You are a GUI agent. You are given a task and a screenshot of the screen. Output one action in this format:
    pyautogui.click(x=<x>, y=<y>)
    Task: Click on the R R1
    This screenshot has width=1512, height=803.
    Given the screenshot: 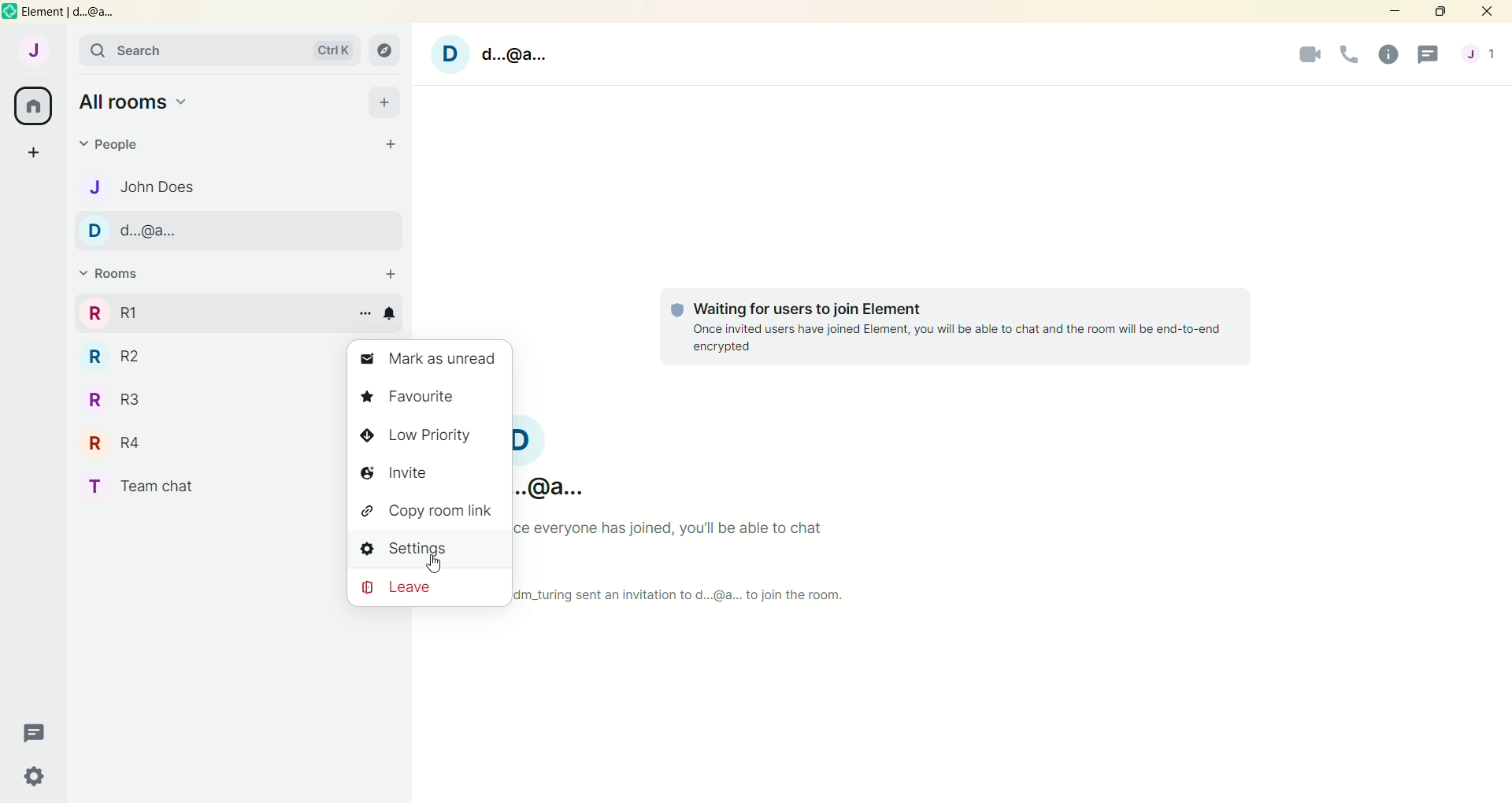 What is the action you would take?
    pyautogui.click(x=164, y=316)
    